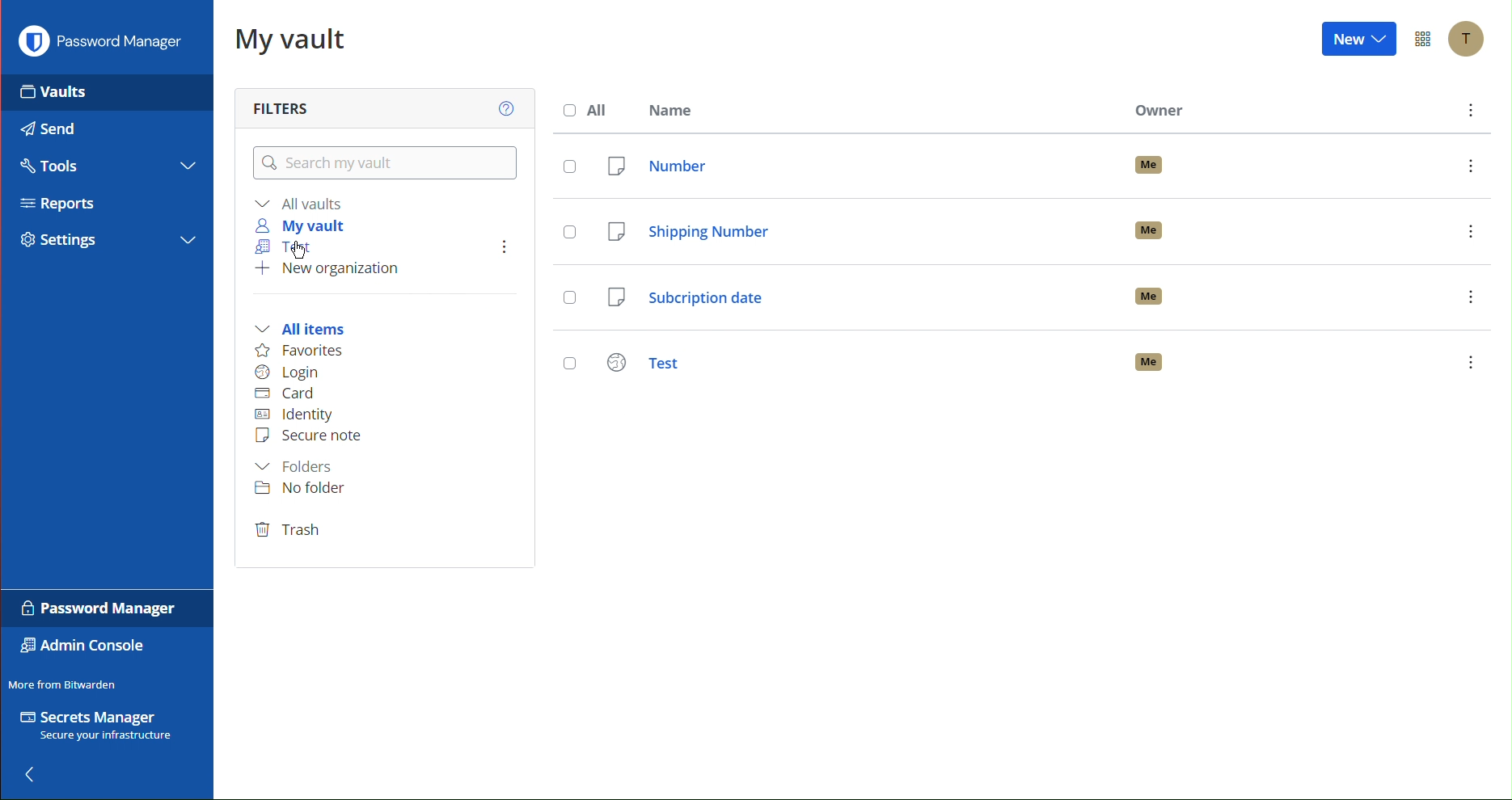  I want to click on Test, so click(280, 245).